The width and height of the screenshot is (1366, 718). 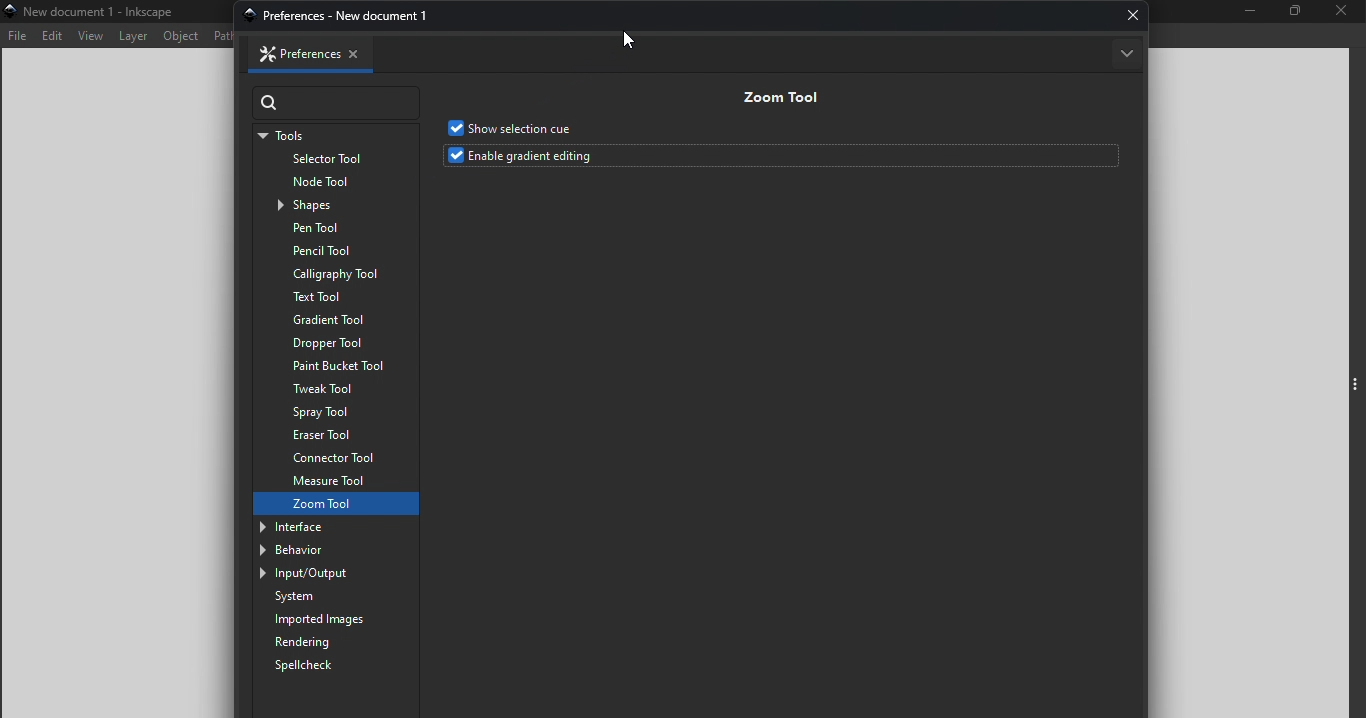 What do you see at coordinates (526, 126) in the screenshot?
I see `Show selection cue` at bounding box center [526, 126].